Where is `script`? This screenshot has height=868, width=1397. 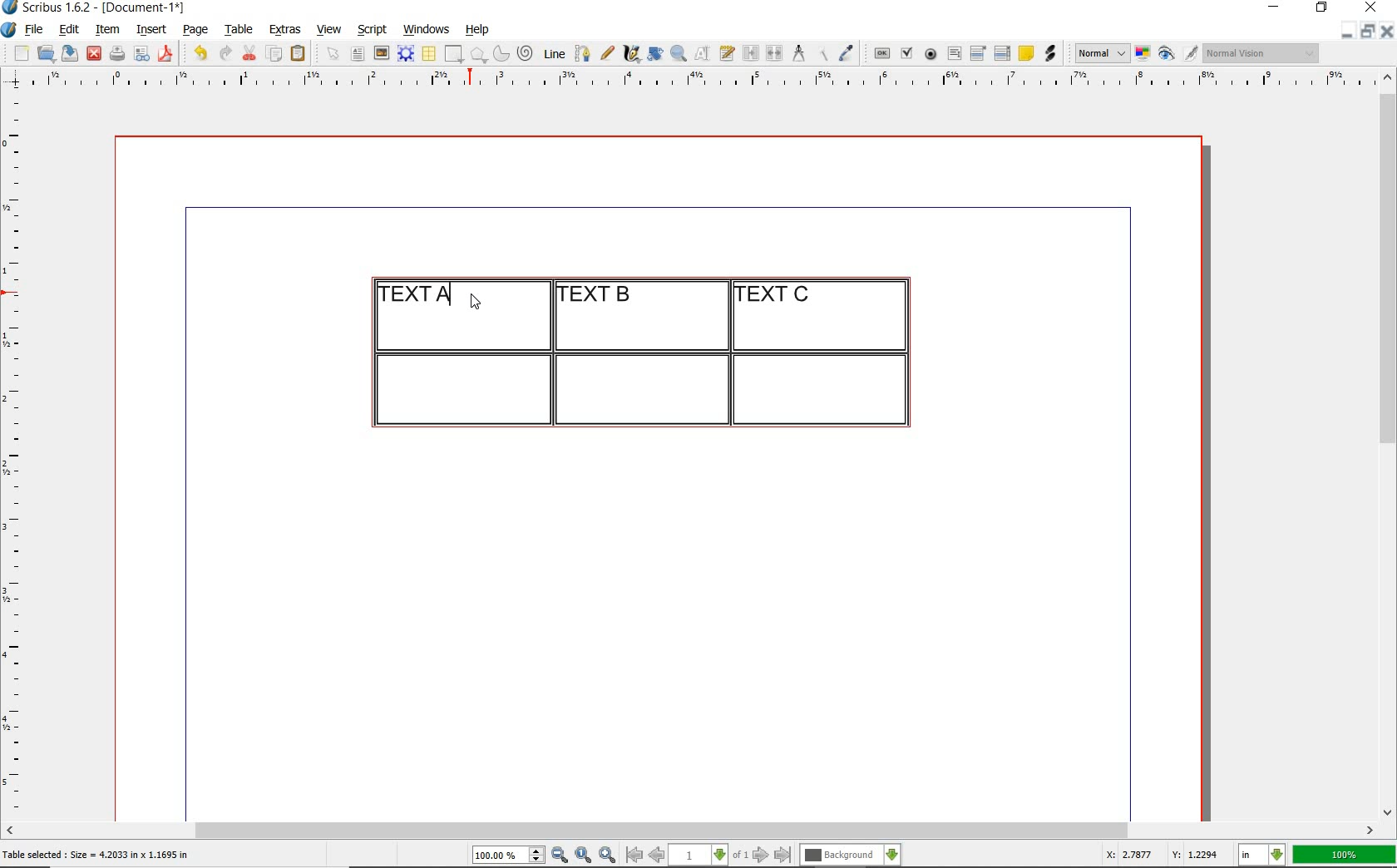
script is located at coordinates (372, 29).